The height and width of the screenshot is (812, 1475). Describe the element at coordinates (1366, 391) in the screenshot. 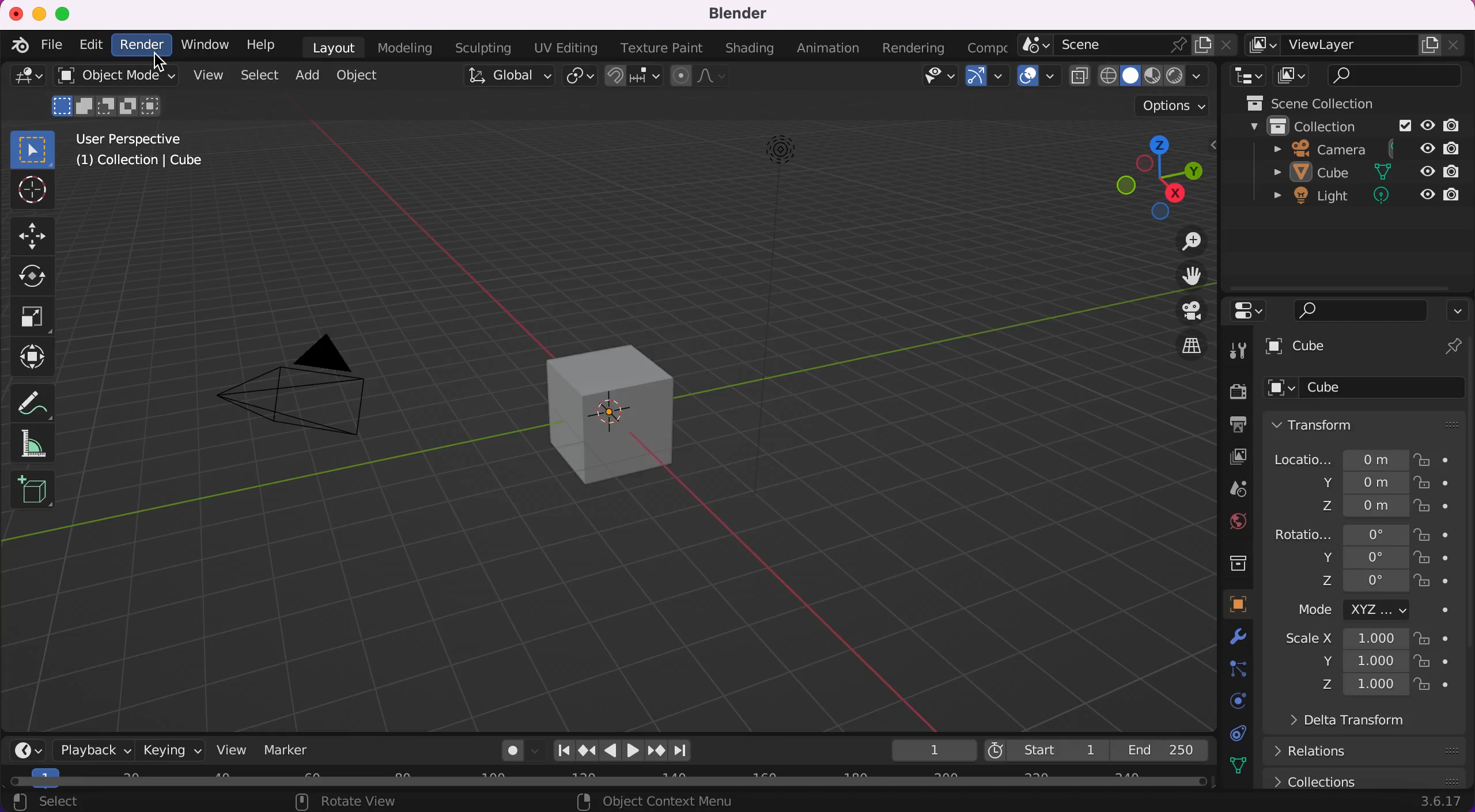

I see `cube` at that location.